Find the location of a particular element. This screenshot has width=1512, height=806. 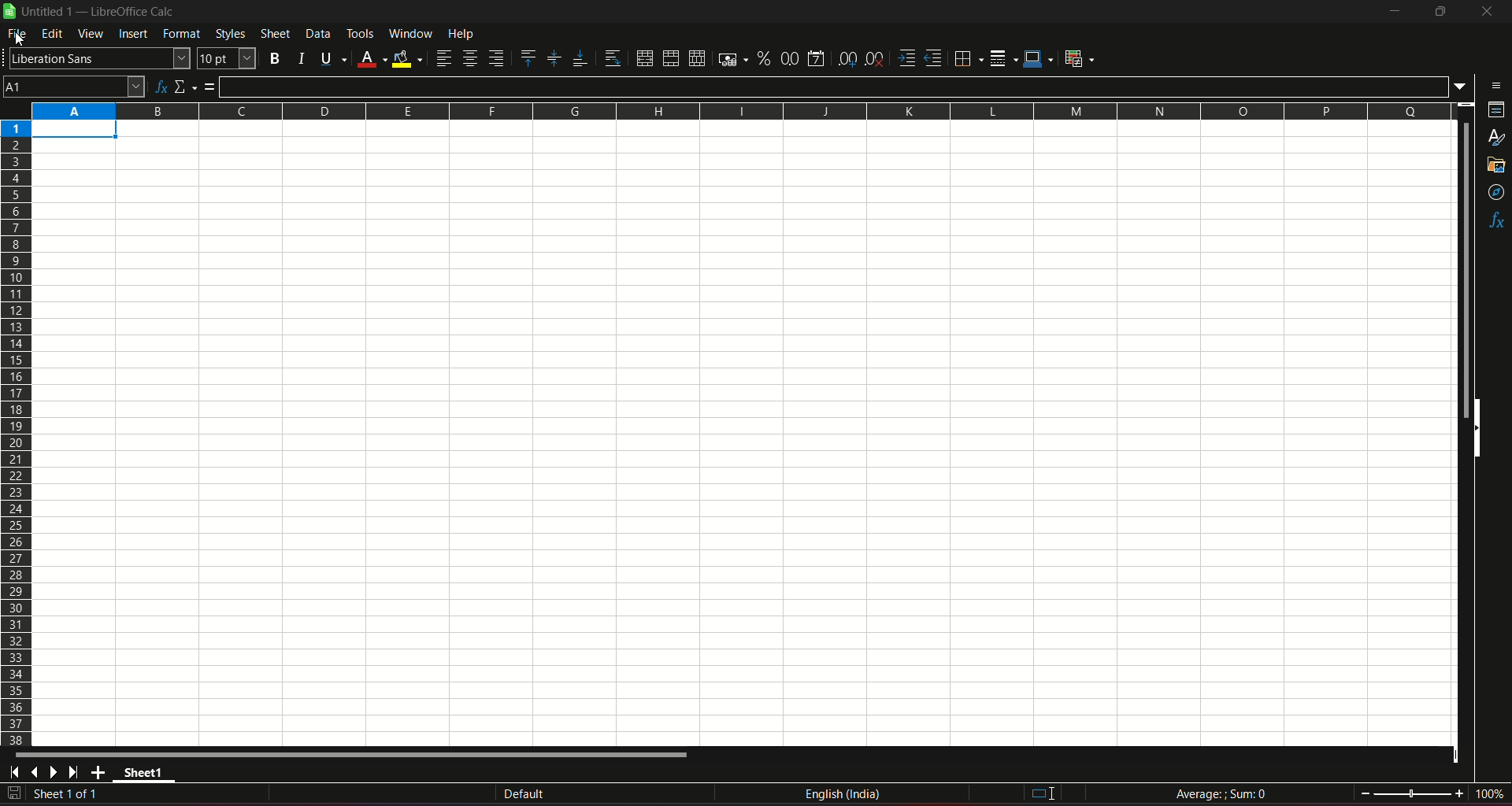

borders is located at coordinates (968, 59).